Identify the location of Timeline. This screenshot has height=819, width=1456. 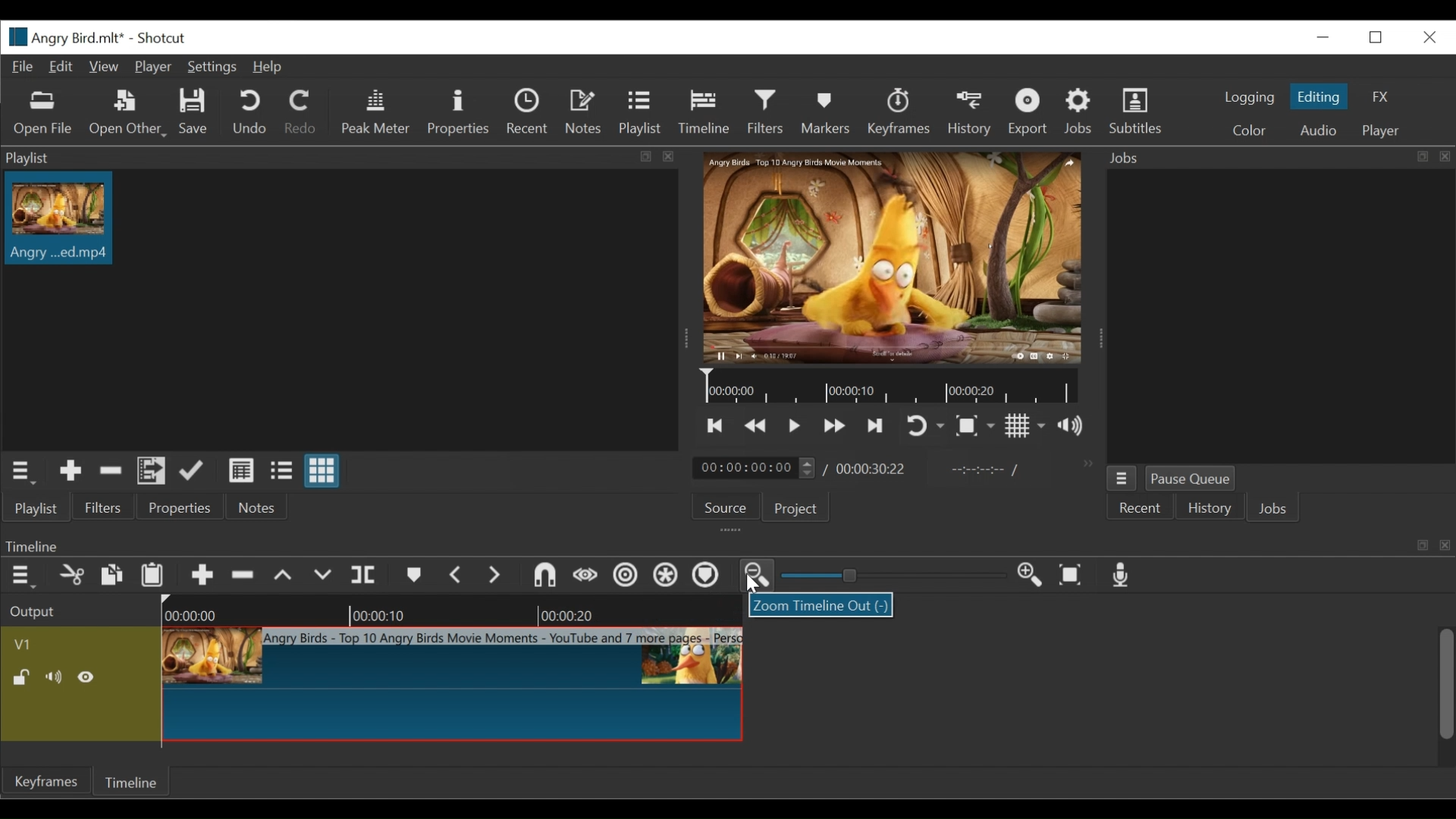
(451, 610).